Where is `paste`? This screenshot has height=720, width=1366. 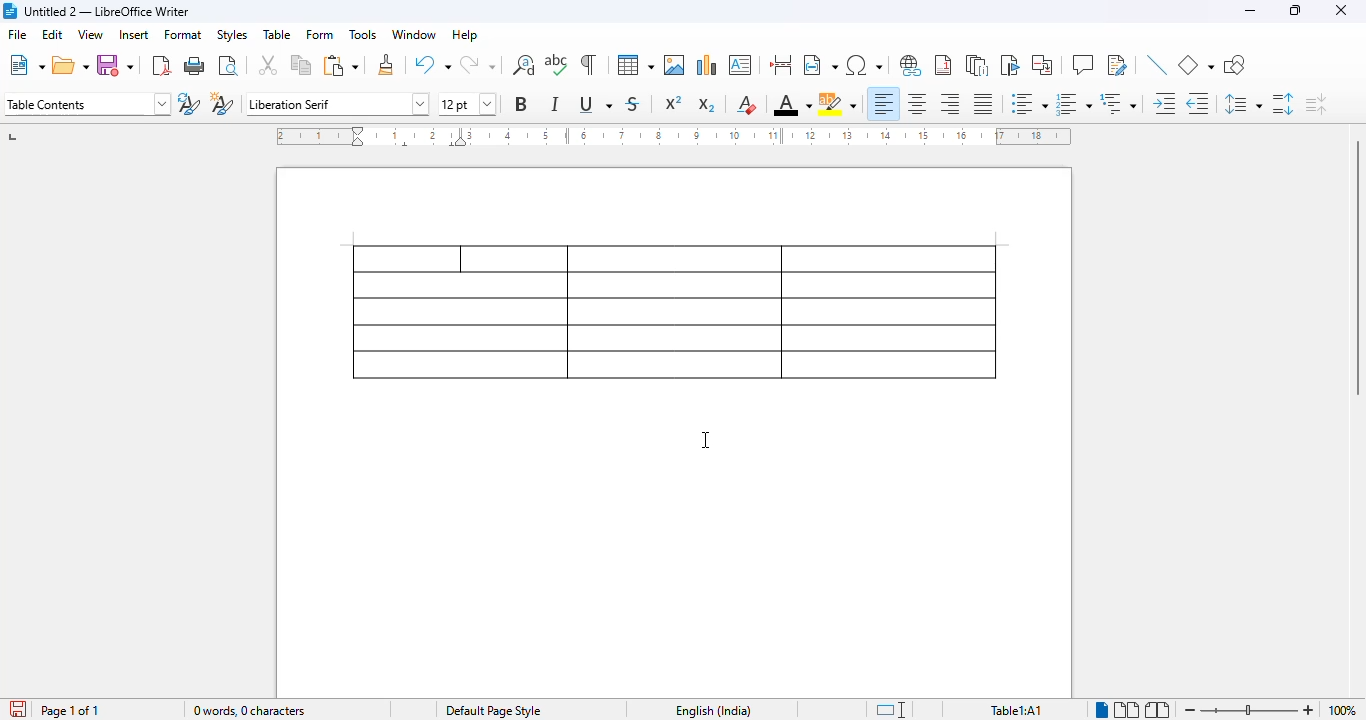
paste is located at coordinates (342, 65).